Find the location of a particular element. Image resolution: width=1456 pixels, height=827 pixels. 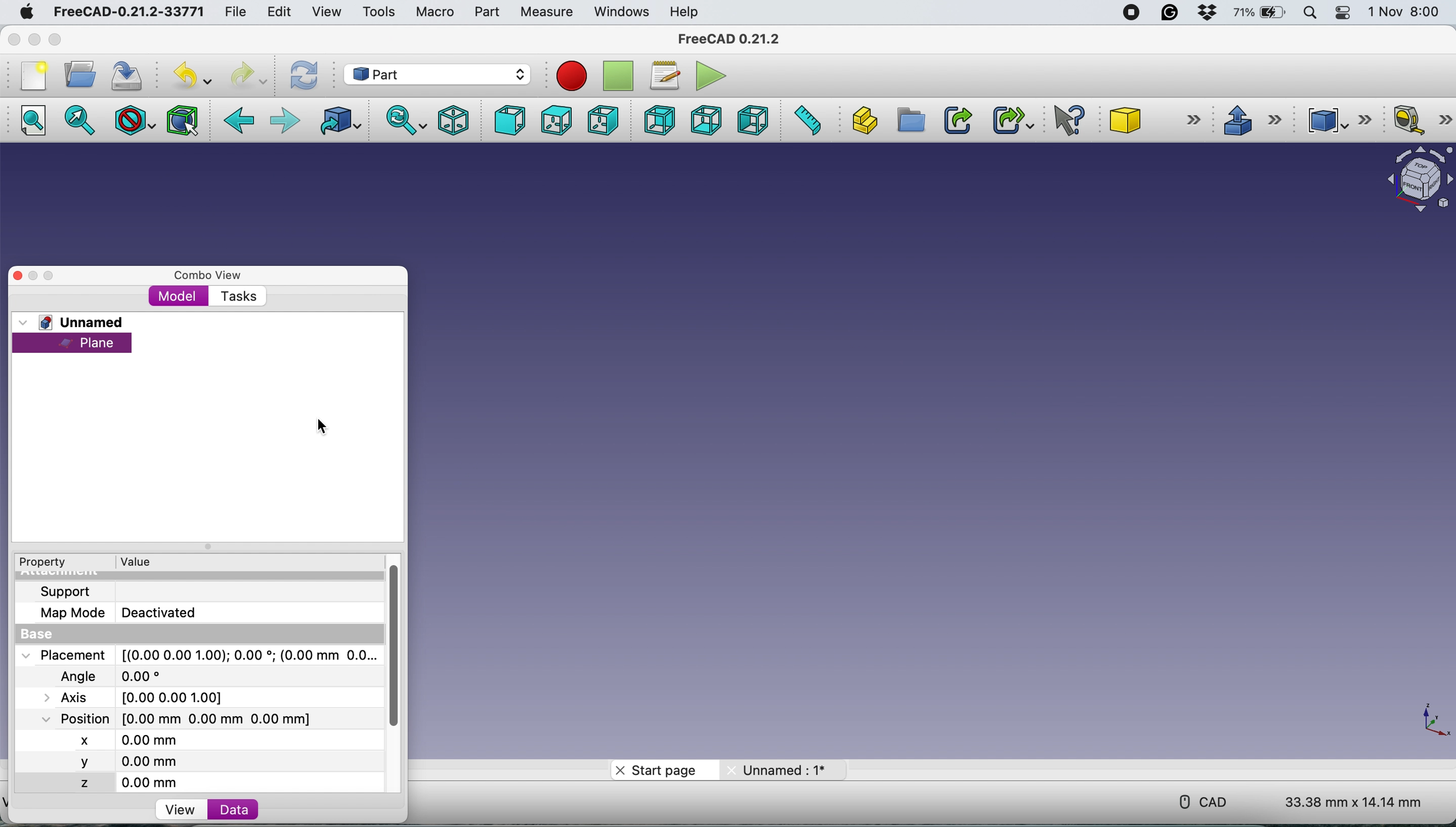

view is located at coordinates (327, 12).